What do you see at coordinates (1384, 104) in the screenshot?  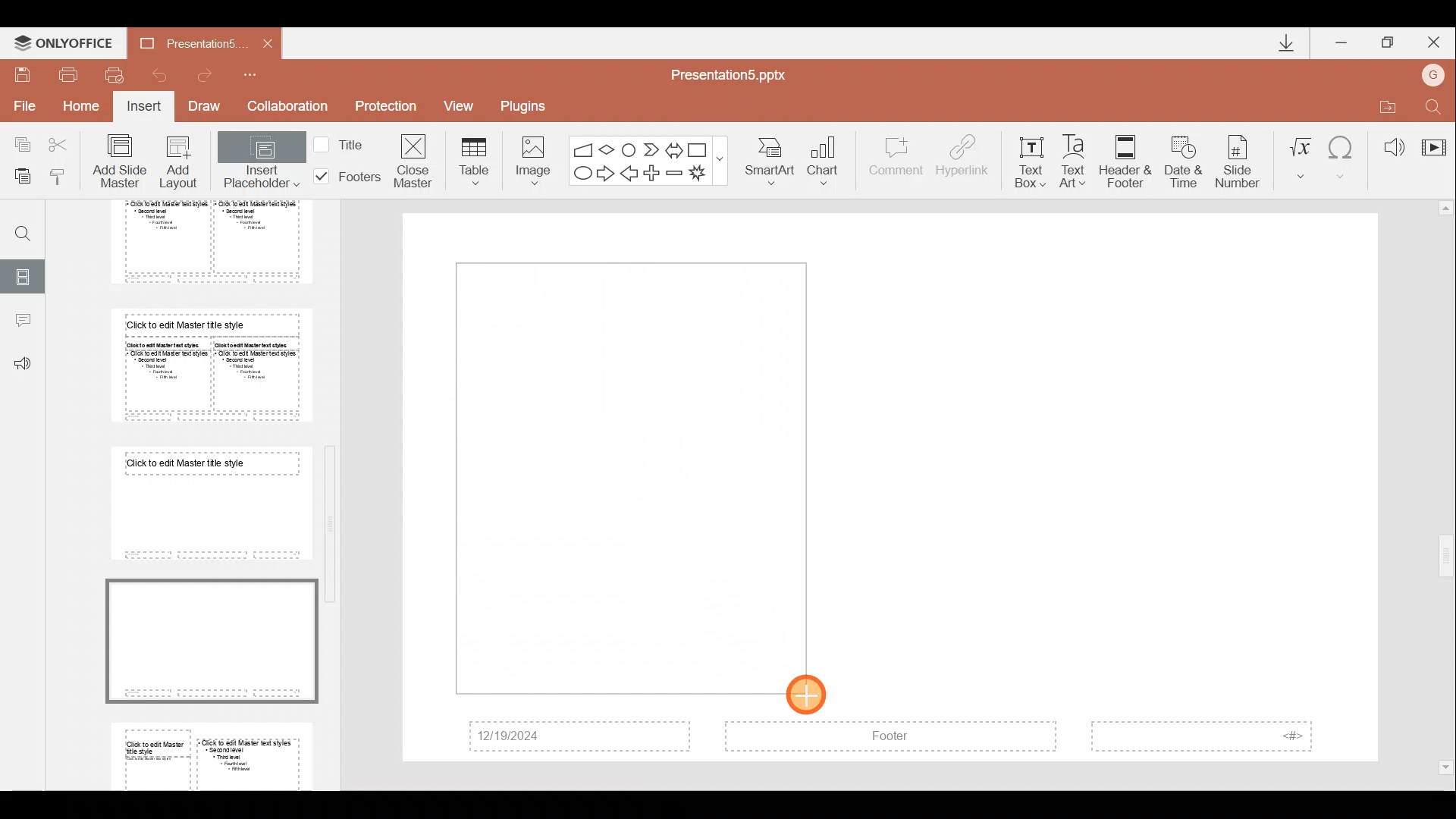 I see `Open file location` at bounding box center [1384, 104].